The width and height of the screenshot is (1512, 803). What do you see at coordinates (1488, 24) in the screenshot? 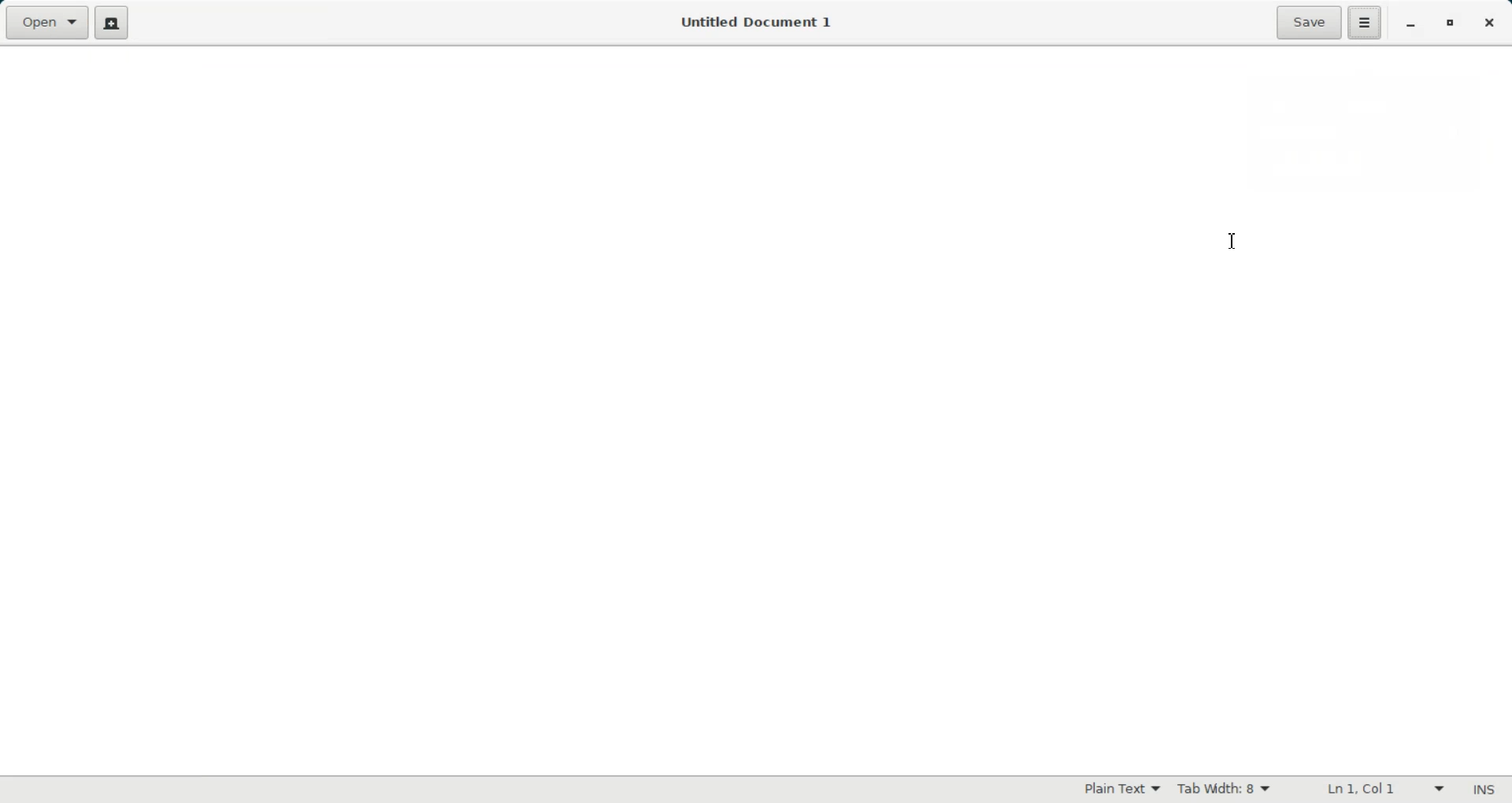
I see `Close` at bounding box center [1488, 24].